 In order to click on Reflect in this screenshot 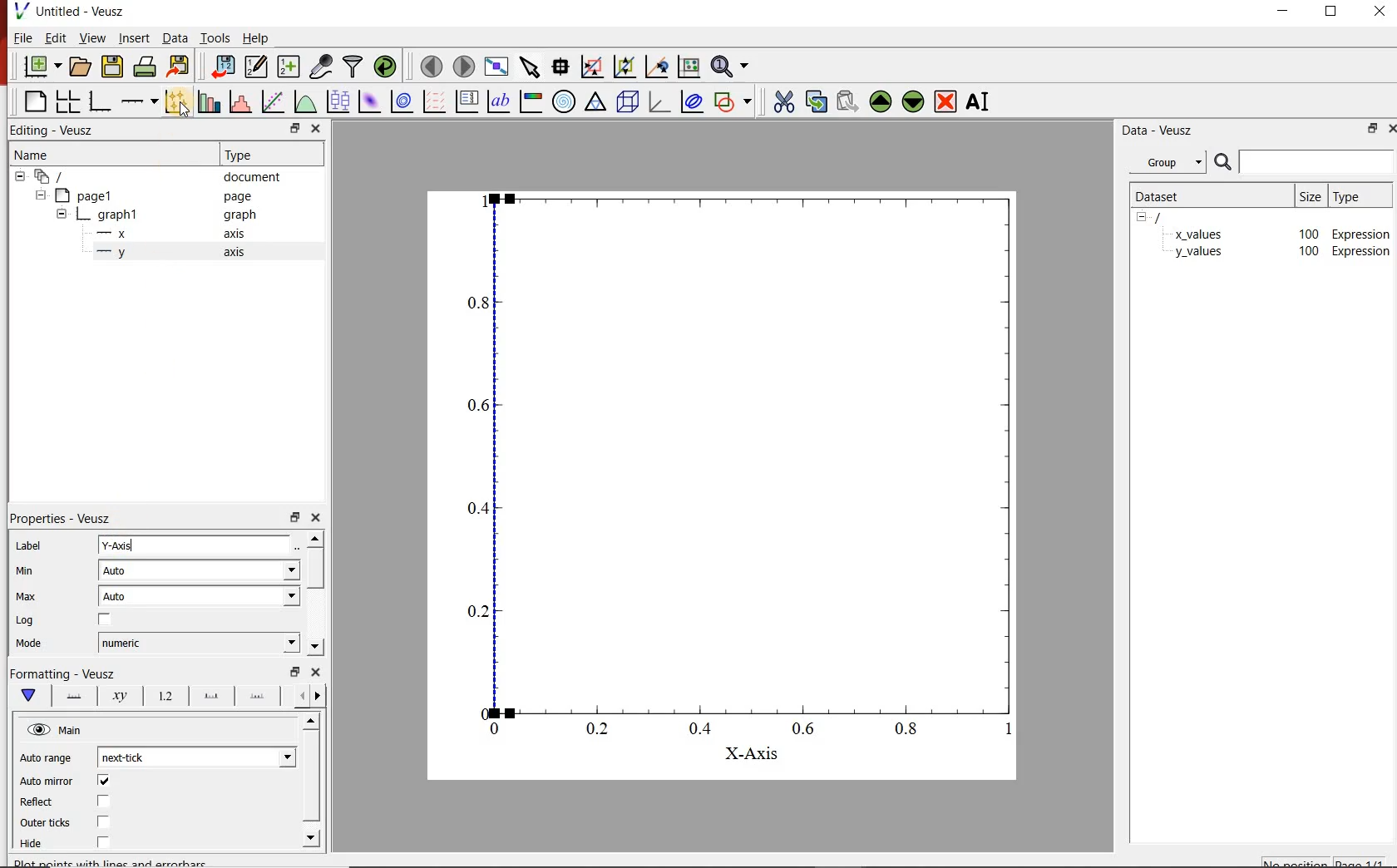, I will do `click(46, 803)`.